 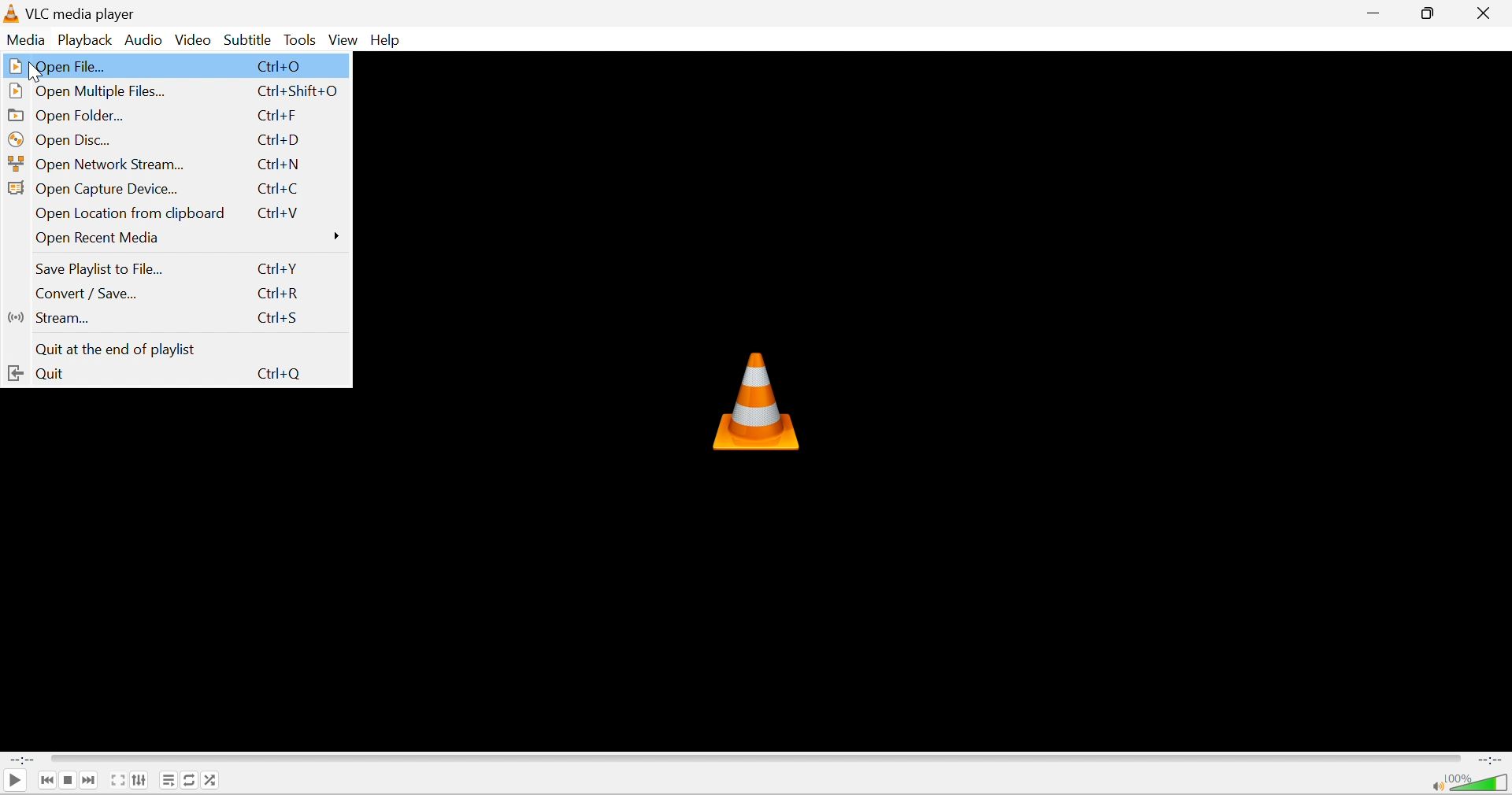 What do you see at coordinates (280, 189) in the screenshot?
I see `Ctrl + C` at bounding box center [280, 189].